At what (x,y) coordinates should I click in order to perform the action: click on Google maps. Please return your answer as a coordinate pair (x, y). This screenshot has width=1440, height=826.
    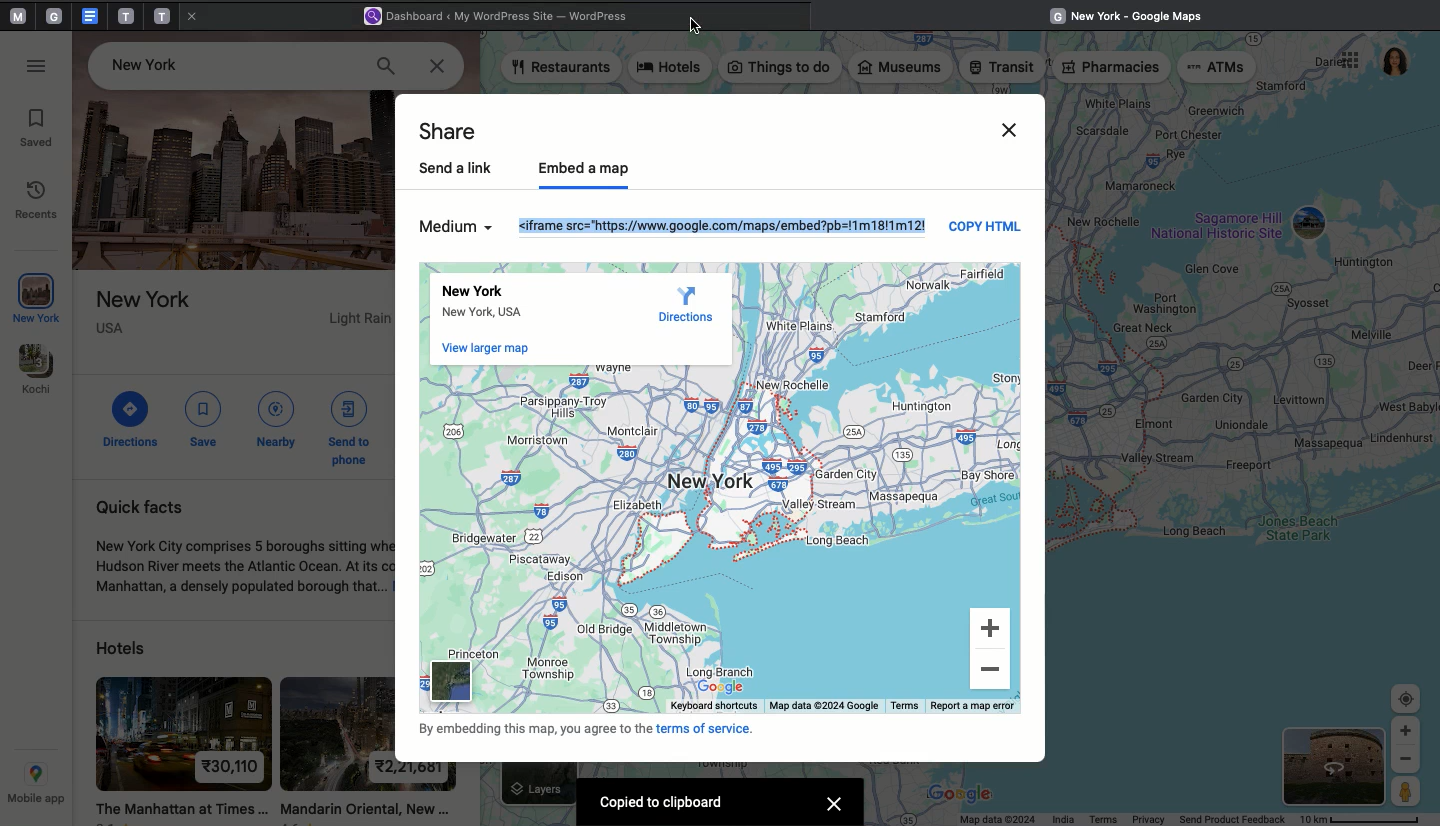
    Looking at the image, I should click on (1133, 14).